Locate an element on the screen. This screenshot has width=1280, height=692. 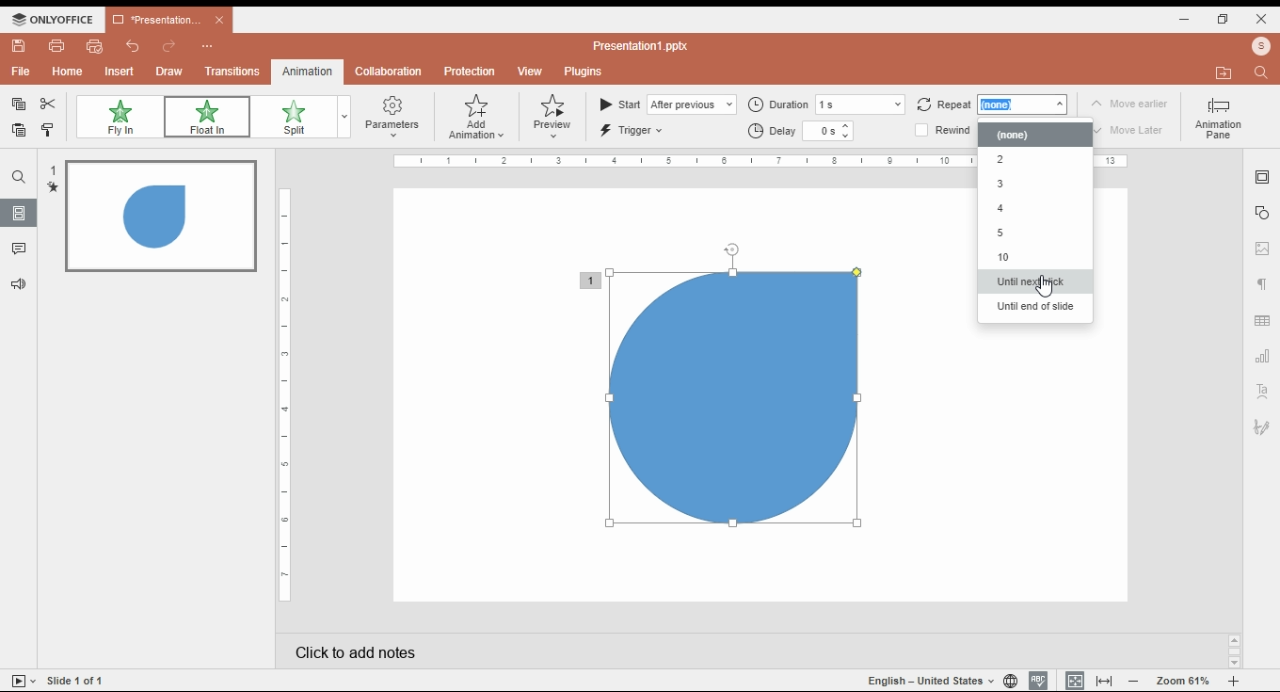
10 is located at coordinates (1032, 256).